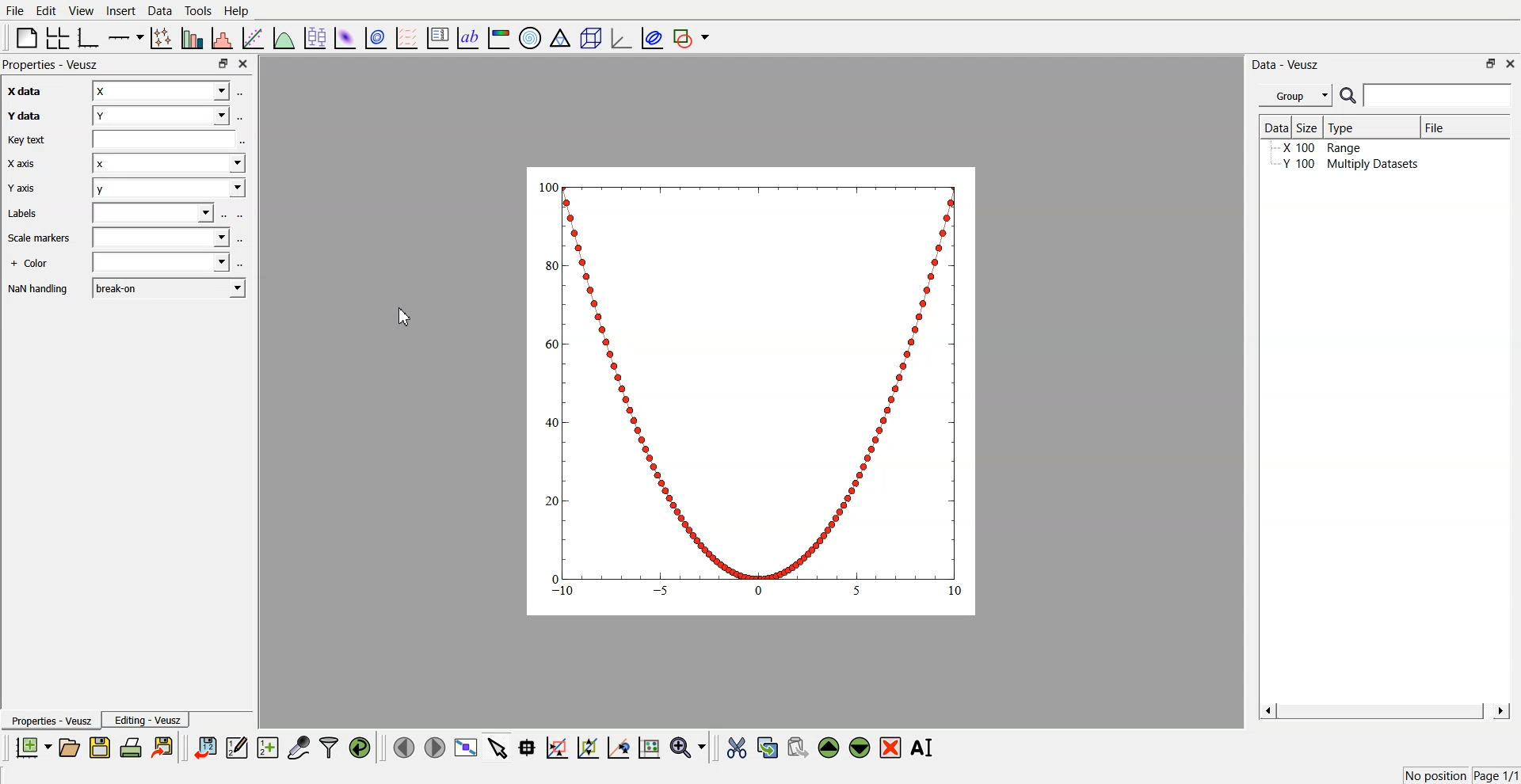 Image resolution: width=1521 pixels, height=784 pixels. Describe the element at coordinates (1287, 65) in the screenshot. I see `Data - Veusz` at that location.